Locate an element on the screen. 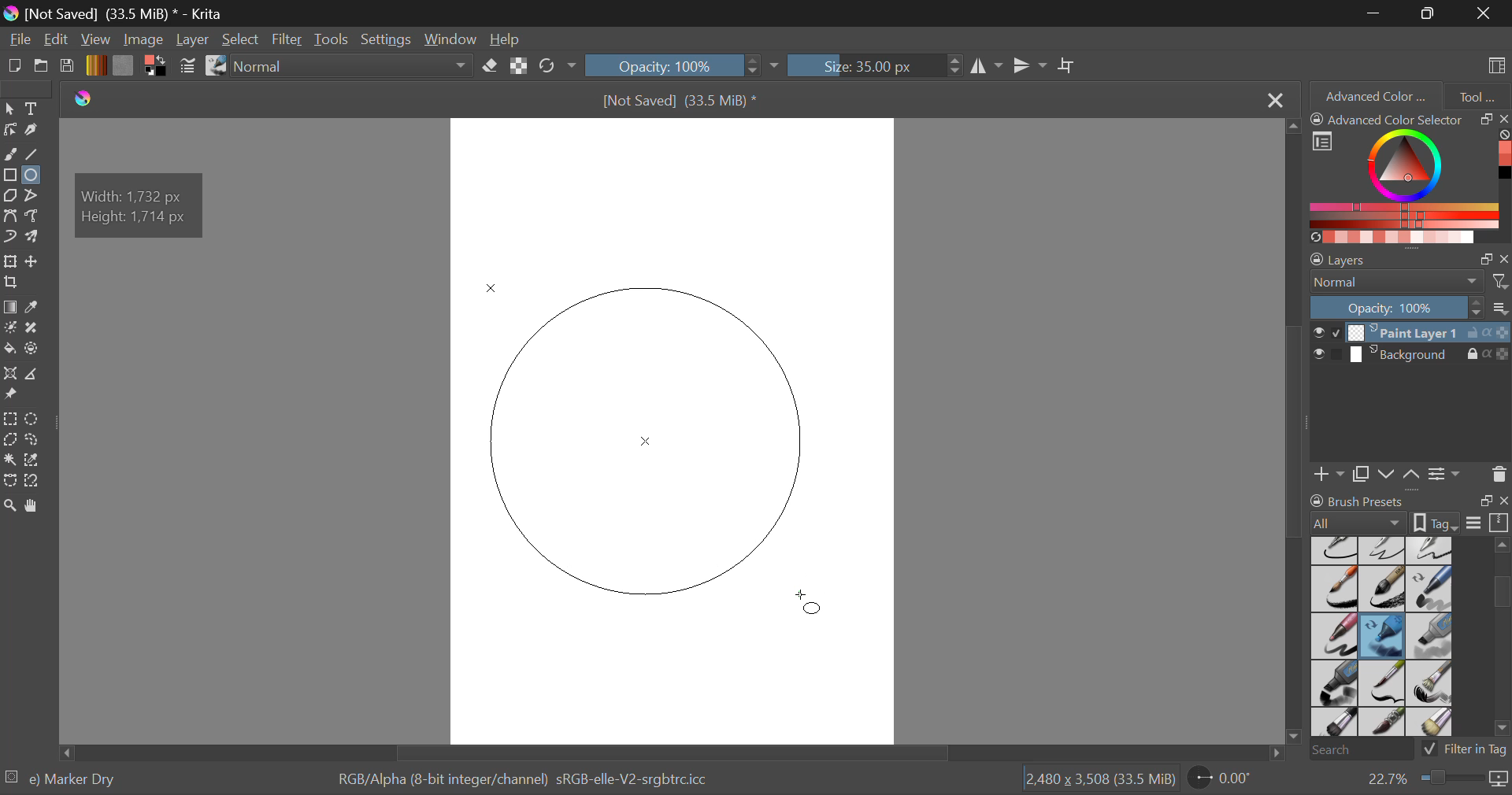  Colorize Mask Tool is located at coordinates (11, 329).